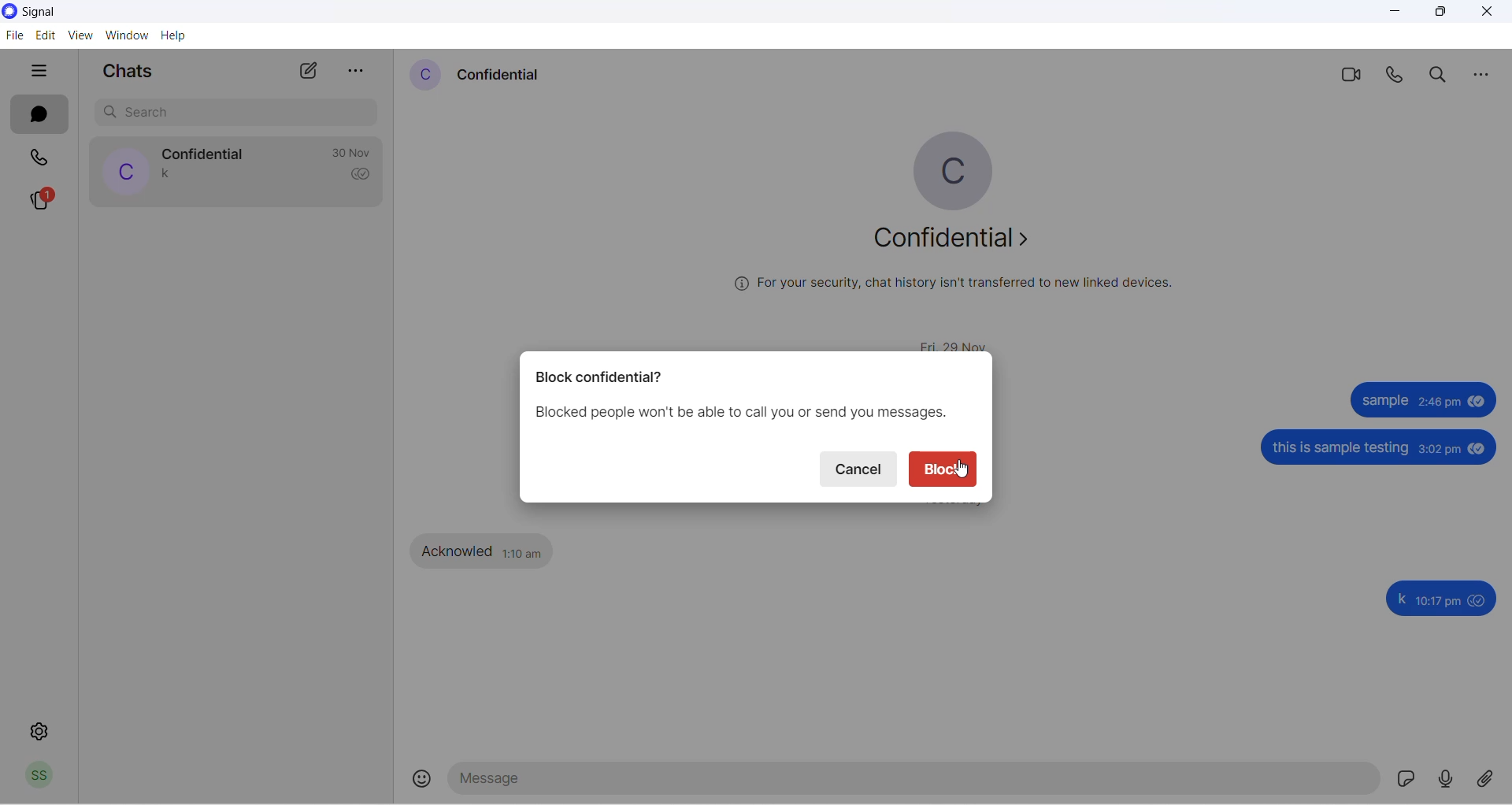 The height and width of the screenshot is (805, 1512). Describe the element at coordinates (426, 77) in the screenshot. I see `profile picture` at that location.